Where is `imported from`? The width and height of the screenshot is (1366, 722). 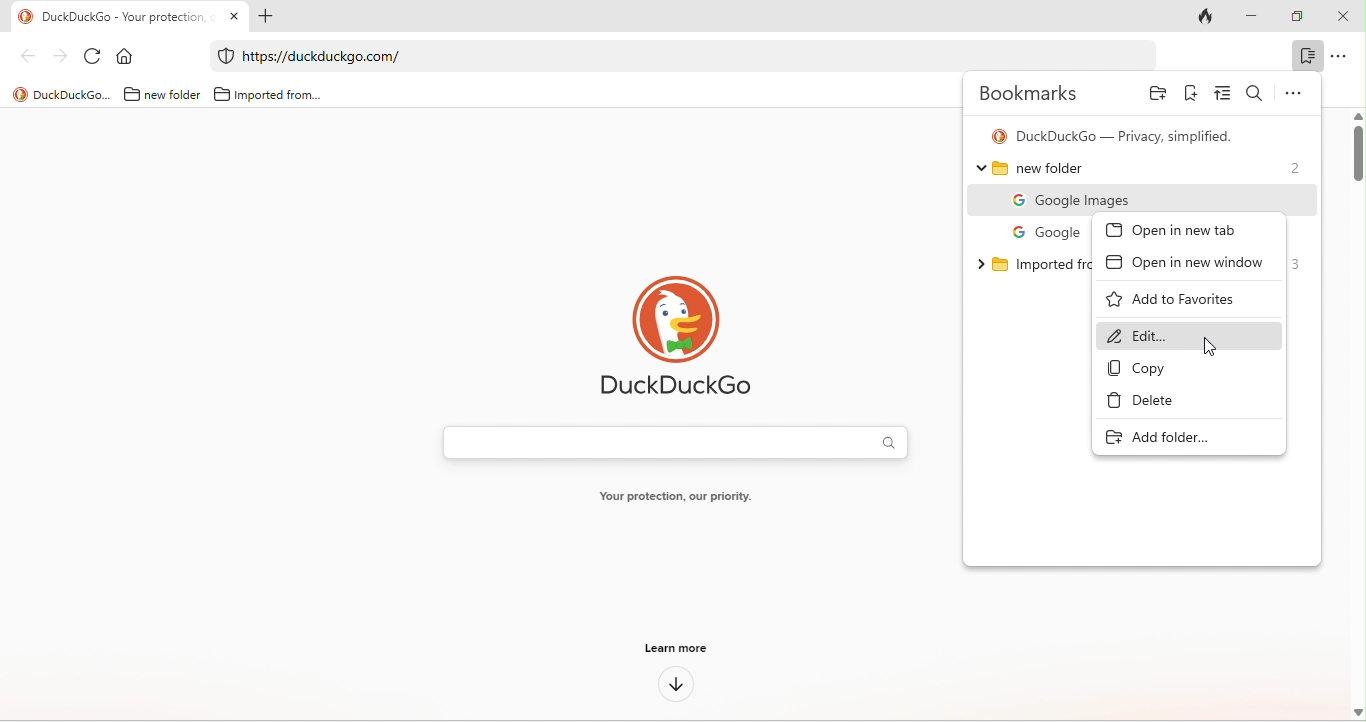
imported from is located at coordinates (267, 91).